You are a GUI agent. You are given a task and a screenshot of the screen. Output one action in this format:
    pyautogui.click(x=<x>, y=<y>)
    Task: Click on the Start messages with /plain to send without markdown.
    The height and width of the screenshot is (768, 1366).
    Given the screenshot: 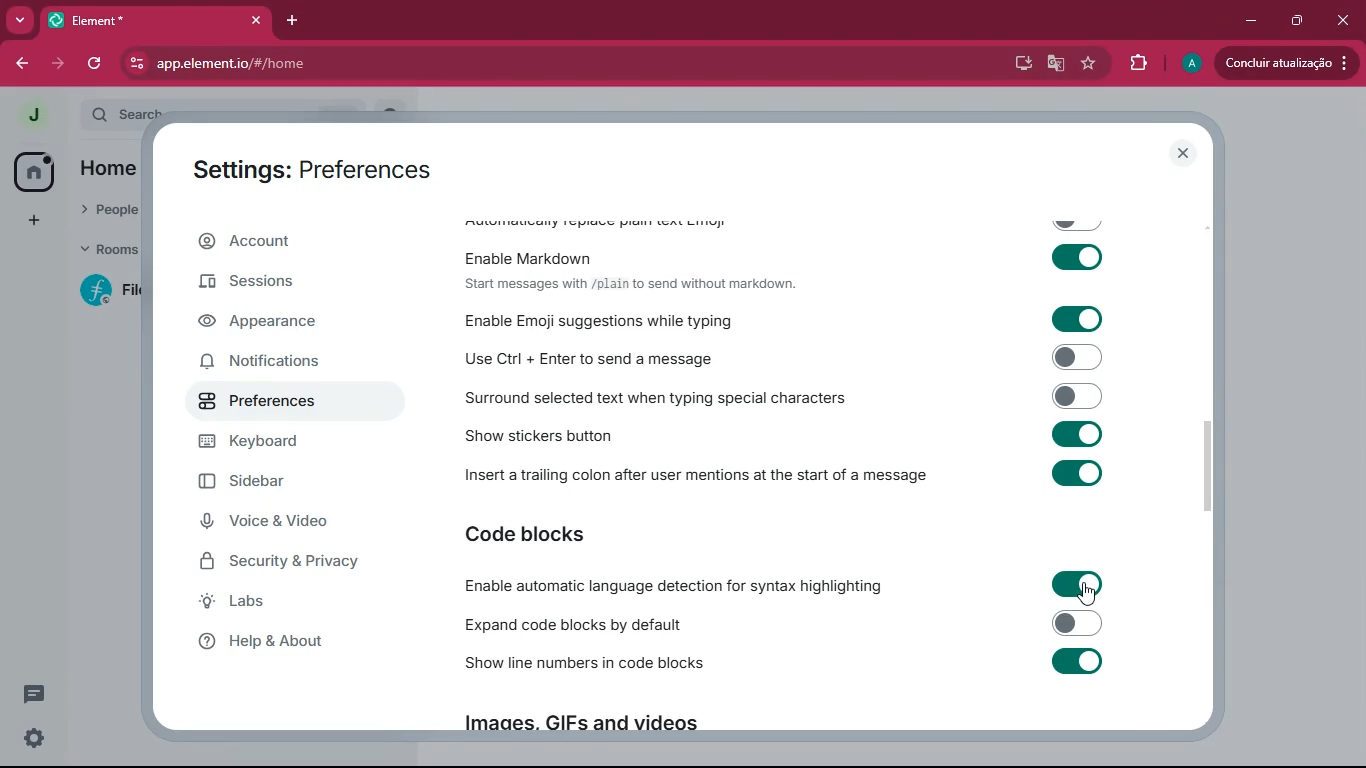 What is the action you would take?
    pyautogui.click(x=630, y=284)
    